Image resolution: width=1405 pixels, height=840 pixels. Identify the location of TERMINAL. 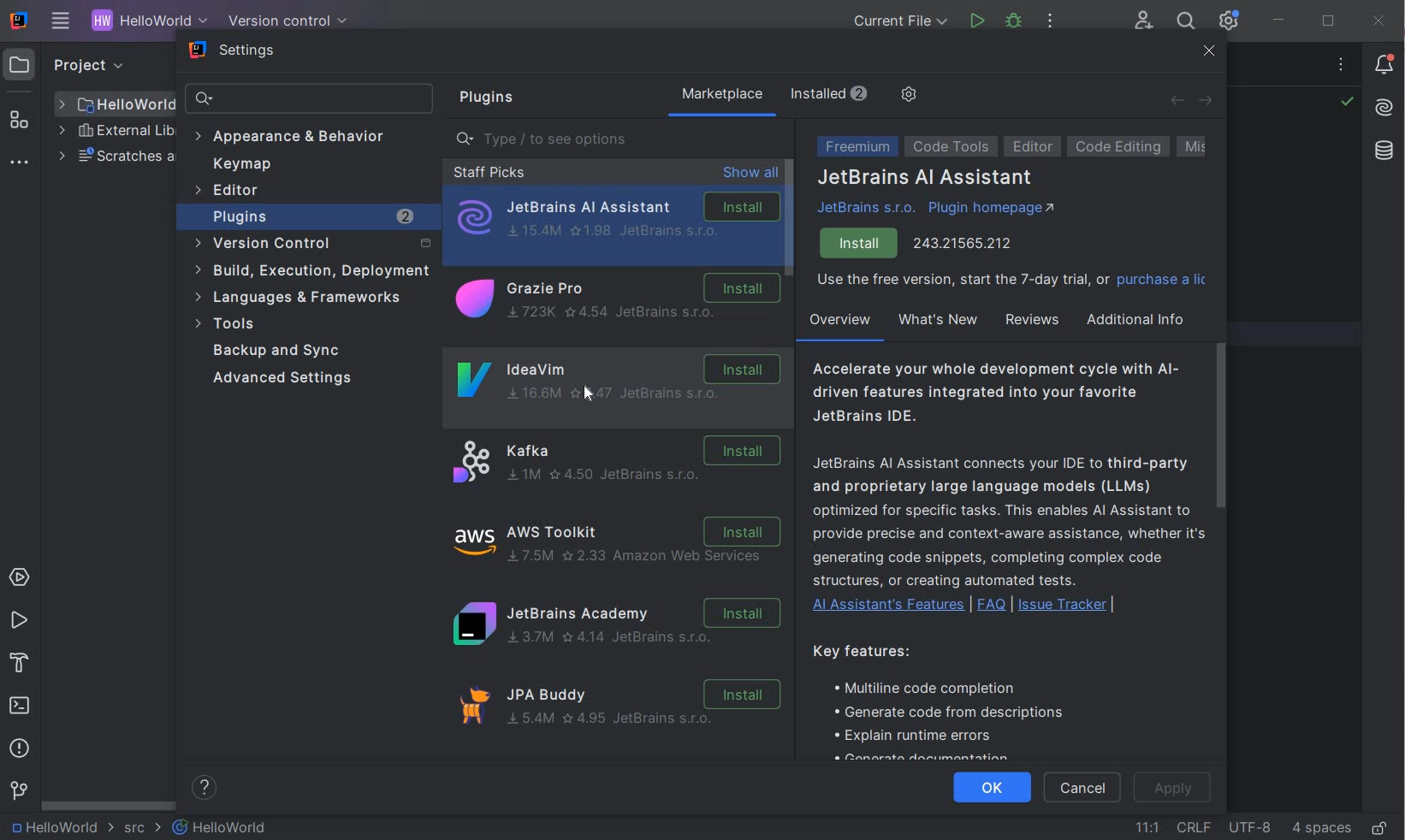
(21, 707).